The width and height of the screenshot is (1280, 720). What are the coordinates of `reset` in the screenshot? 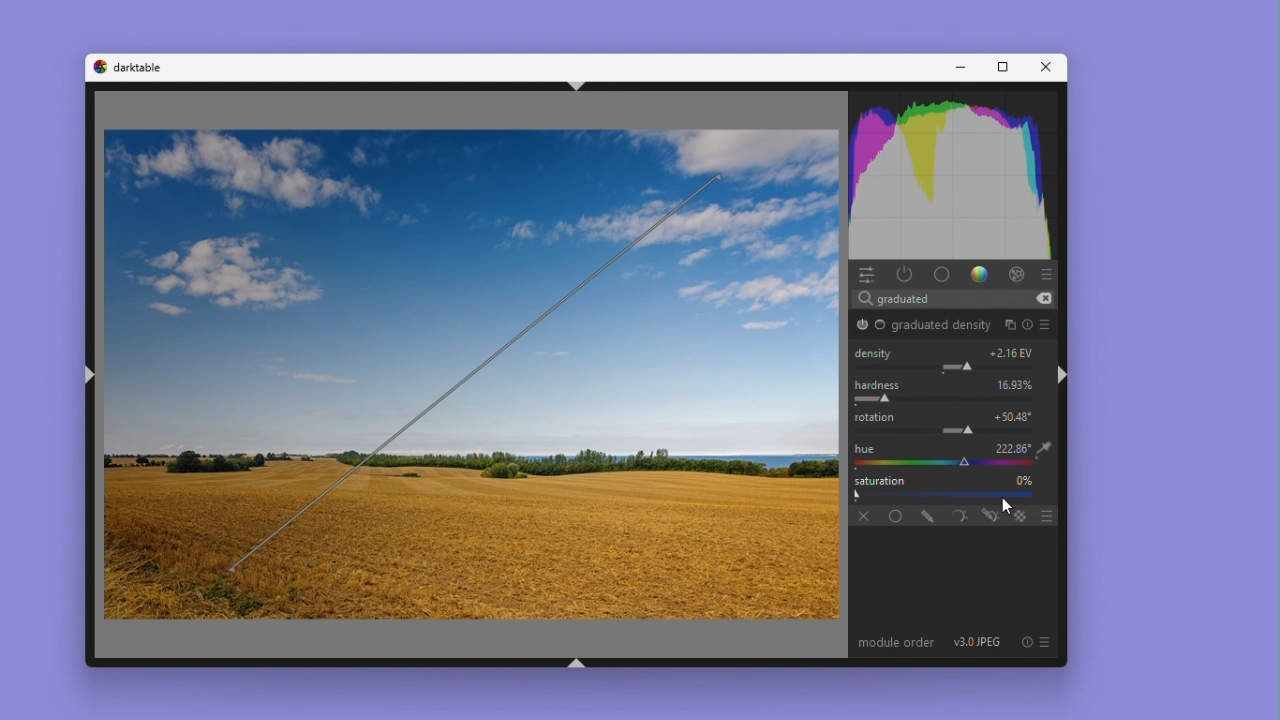 It's located at (1026, 643).